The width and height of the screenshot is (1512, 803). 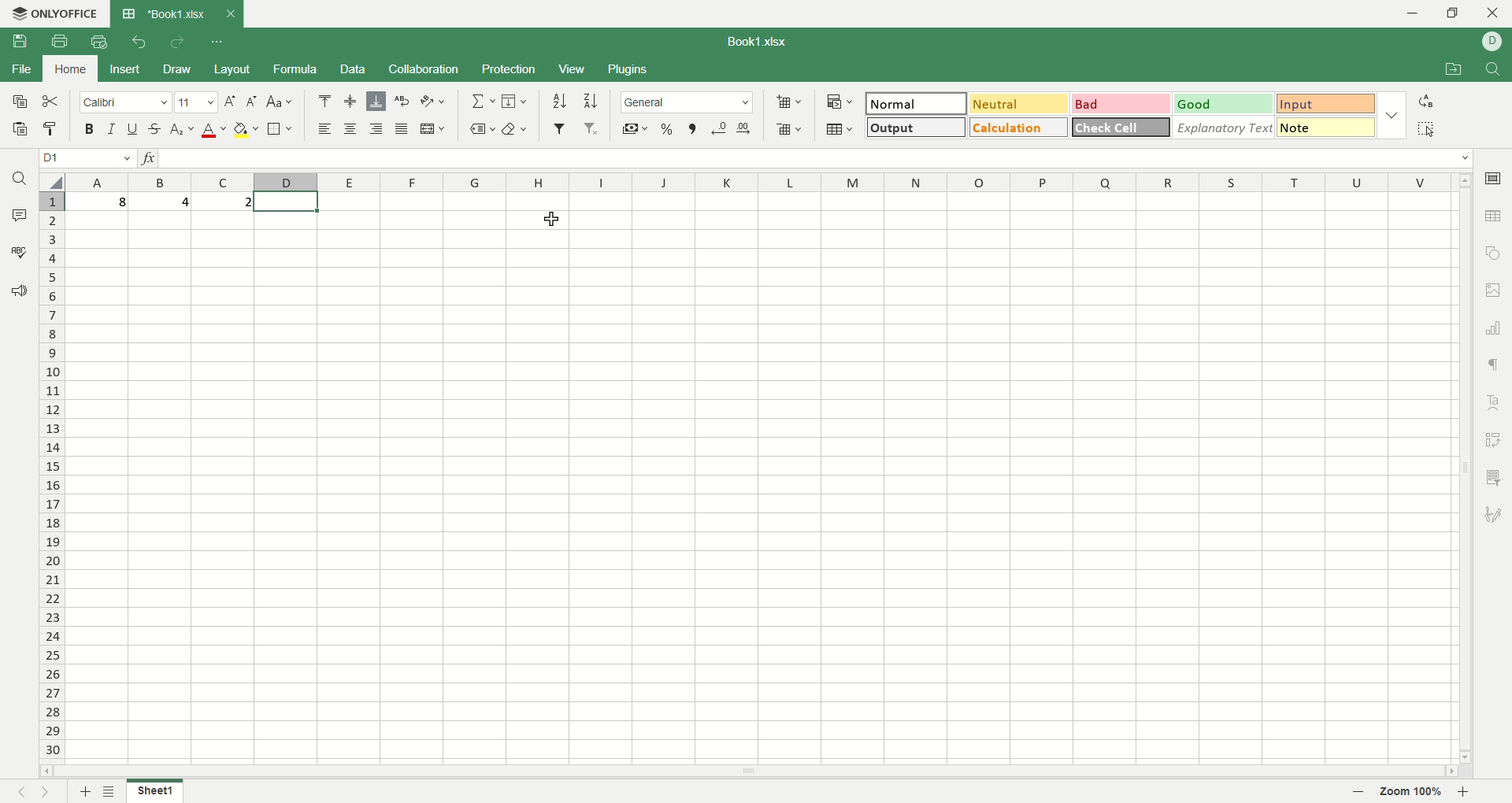 What do you see at coordinates (280, 102) in the screenshot?
I see `change case` at bounding box center [280, 102].